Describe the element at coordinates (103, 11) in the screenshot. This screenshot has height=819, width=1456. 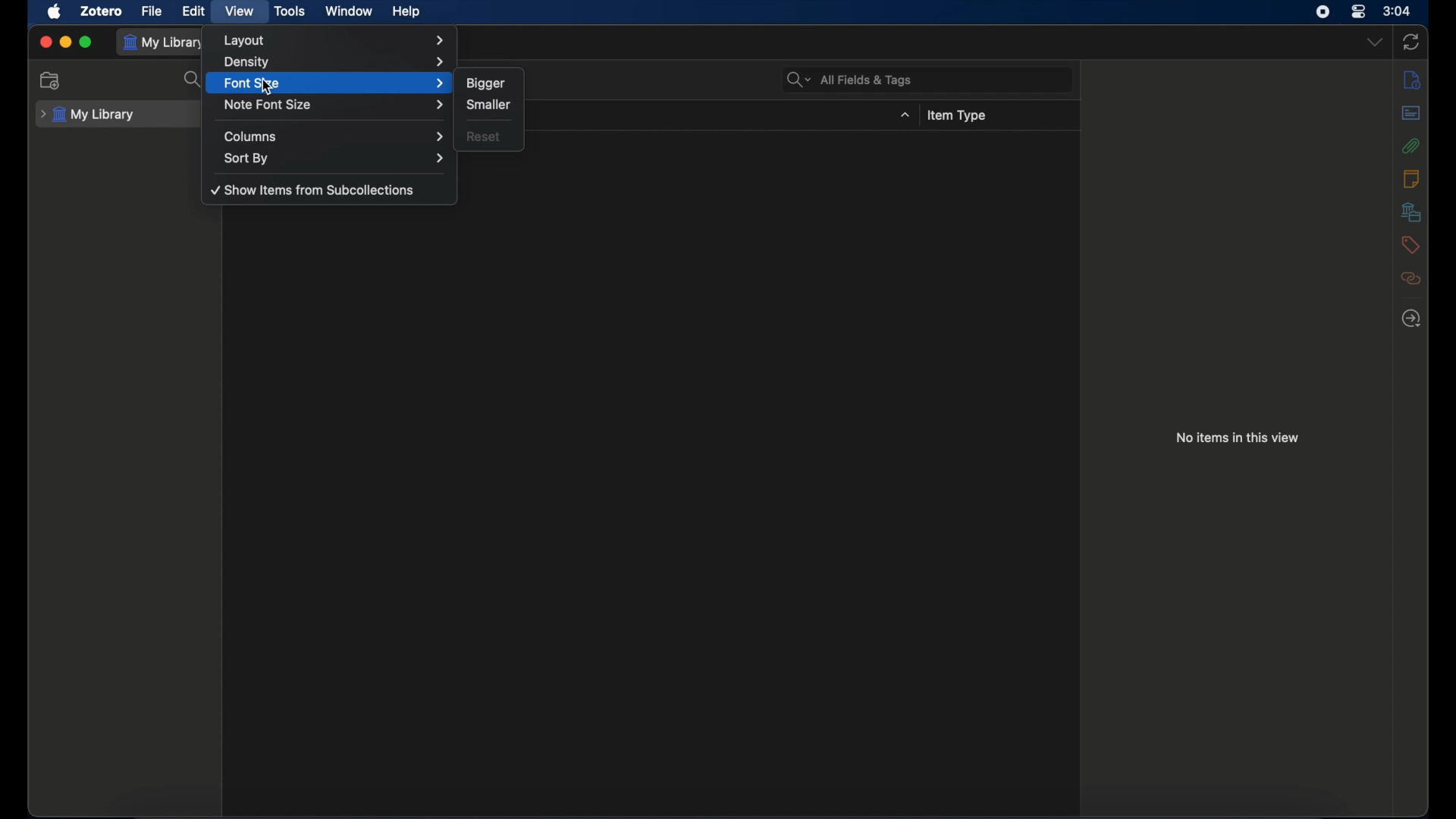
I see `zotero` at that location.